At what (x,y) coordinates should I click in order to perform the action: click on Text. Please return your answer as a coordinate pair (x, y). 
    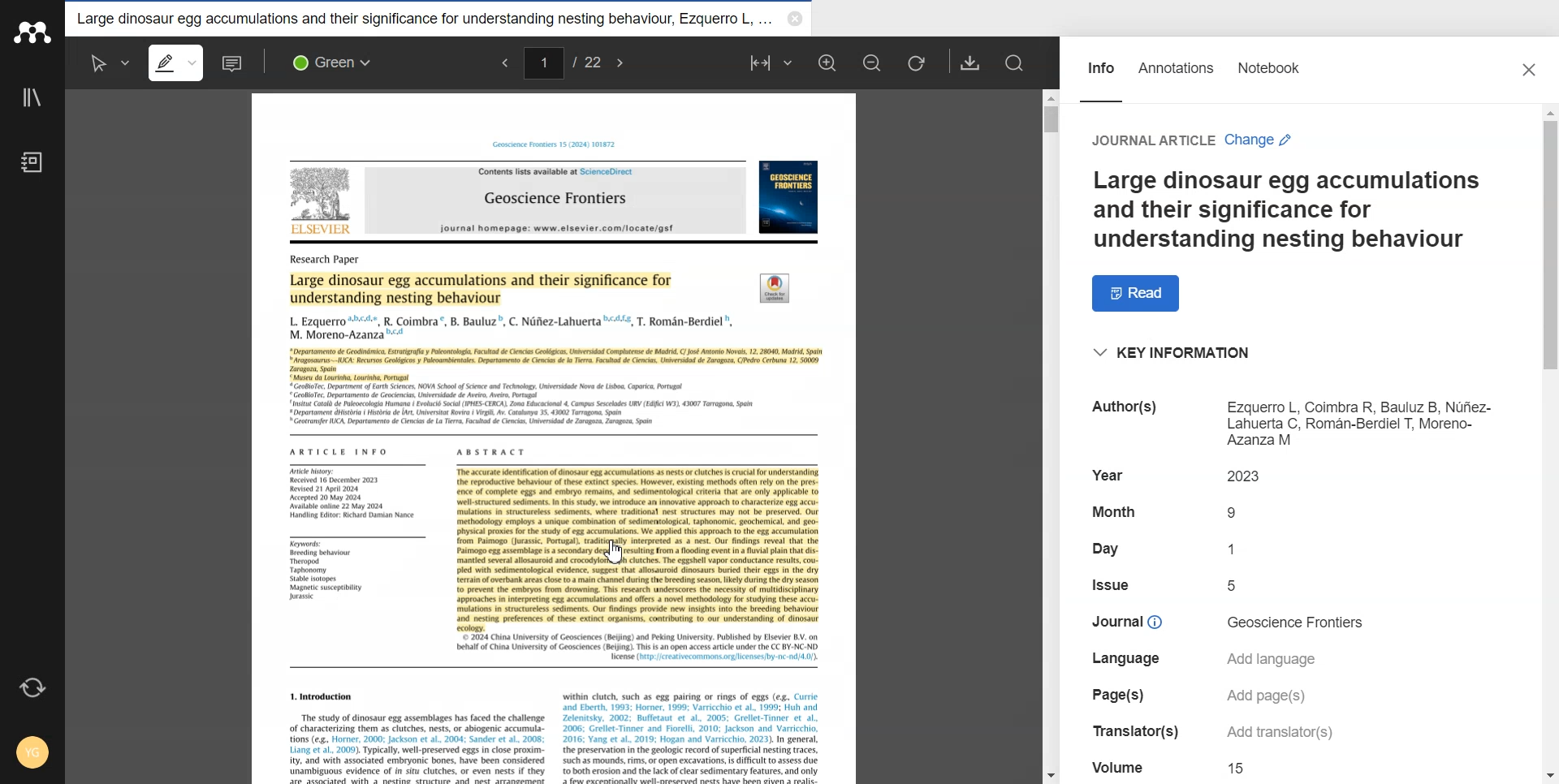
    Looking at the image, I should click on (1285, 209).